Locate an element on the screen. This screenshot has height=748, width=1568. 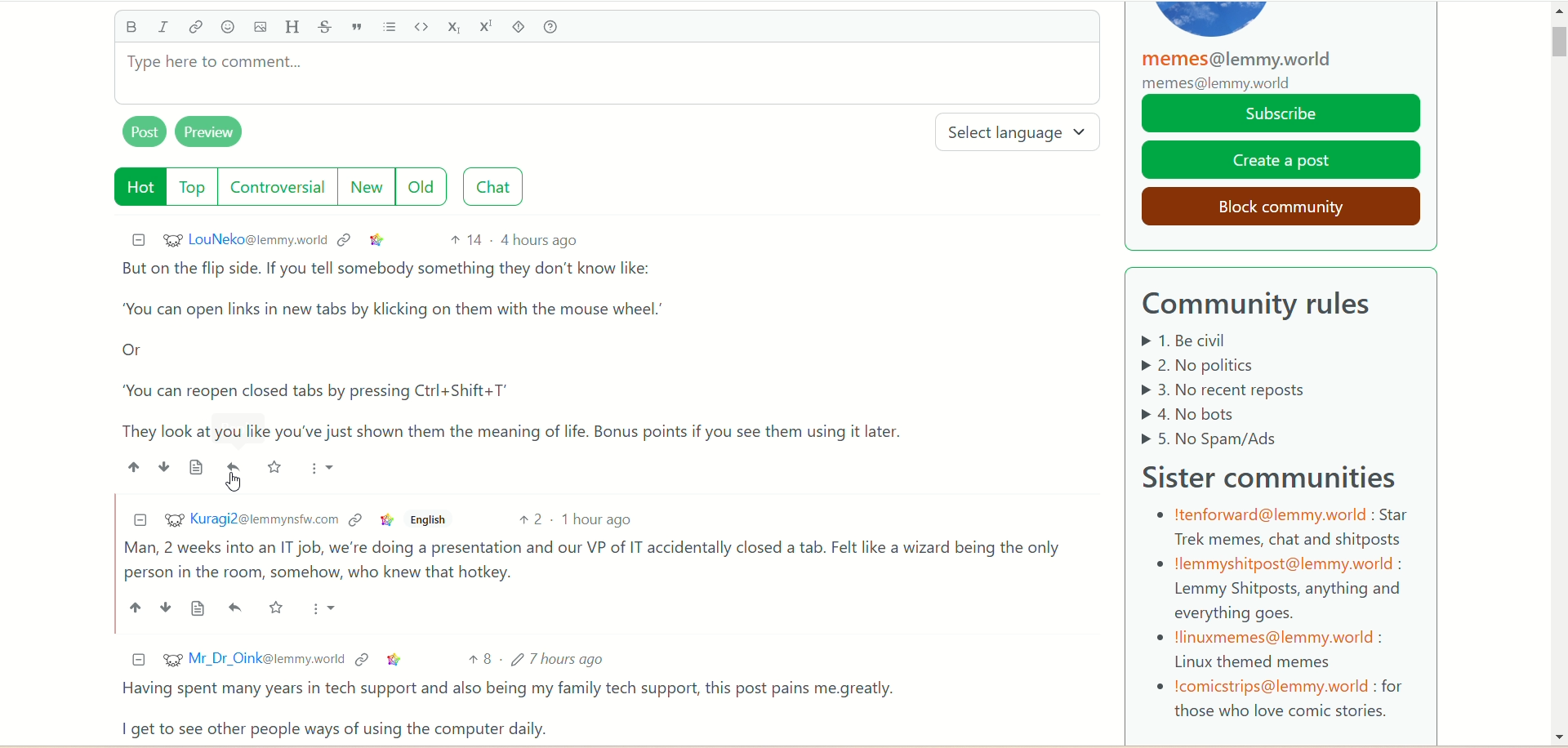
source is located at coordinates (193, 467).